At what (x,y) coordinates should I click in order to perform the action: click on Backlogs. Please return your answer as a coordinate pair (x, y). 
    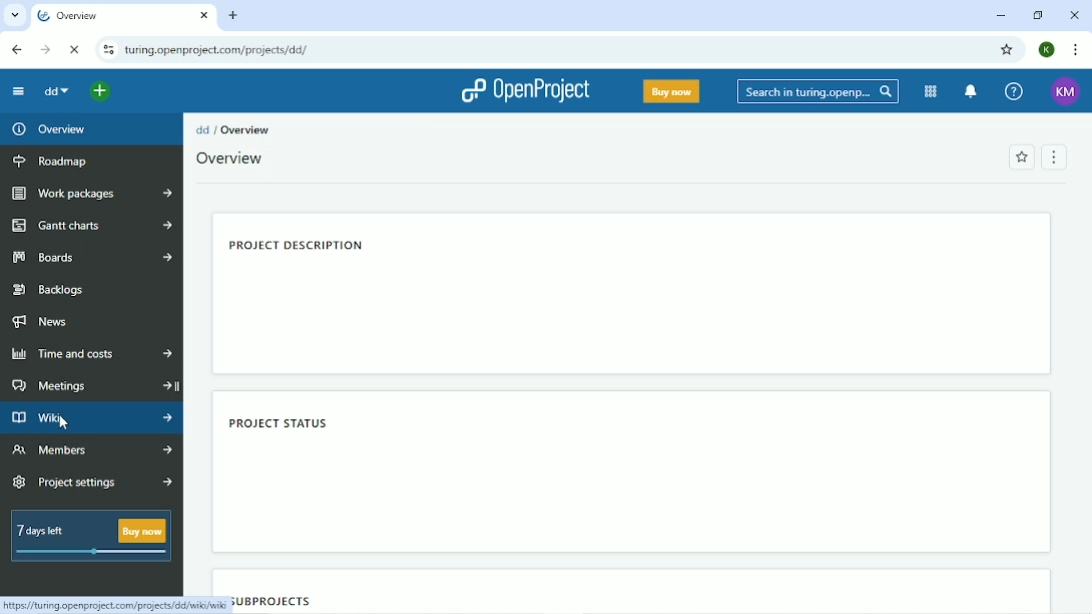
    Looking at the image, I should click on (57, 288).